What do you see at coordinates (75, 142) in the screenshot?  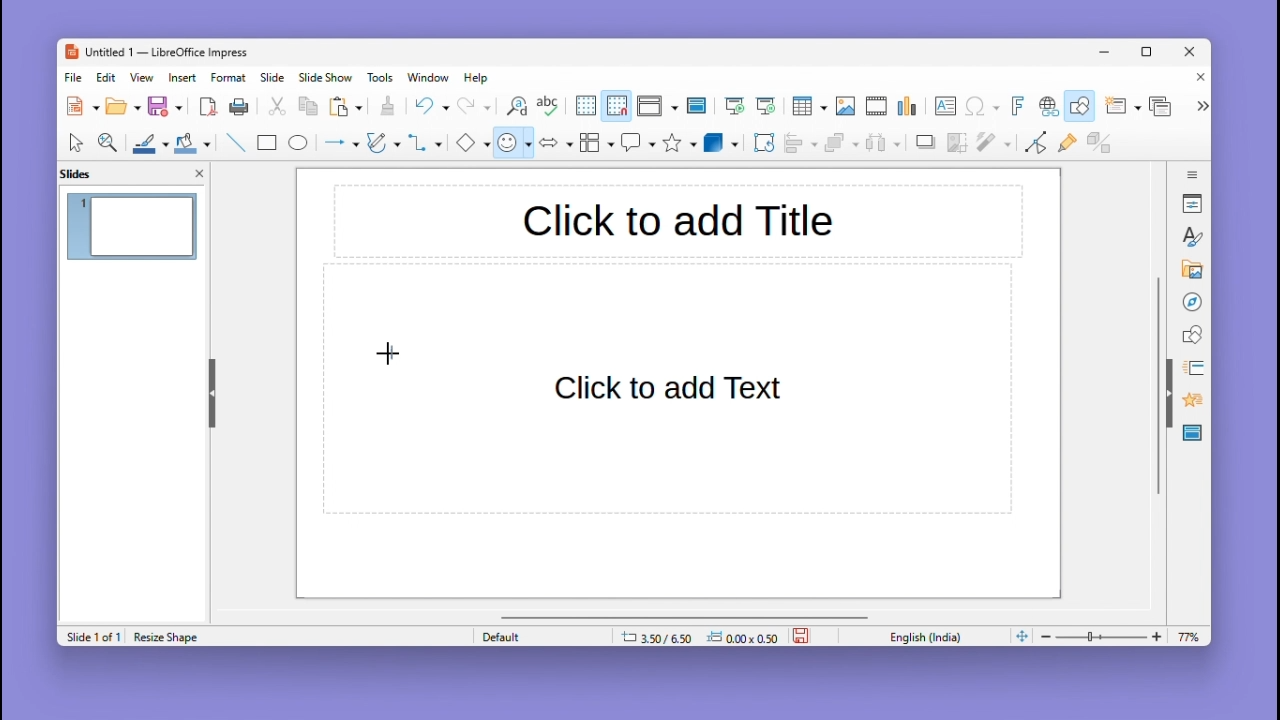 I see `Selection tool` at bounding box center [75, 142].